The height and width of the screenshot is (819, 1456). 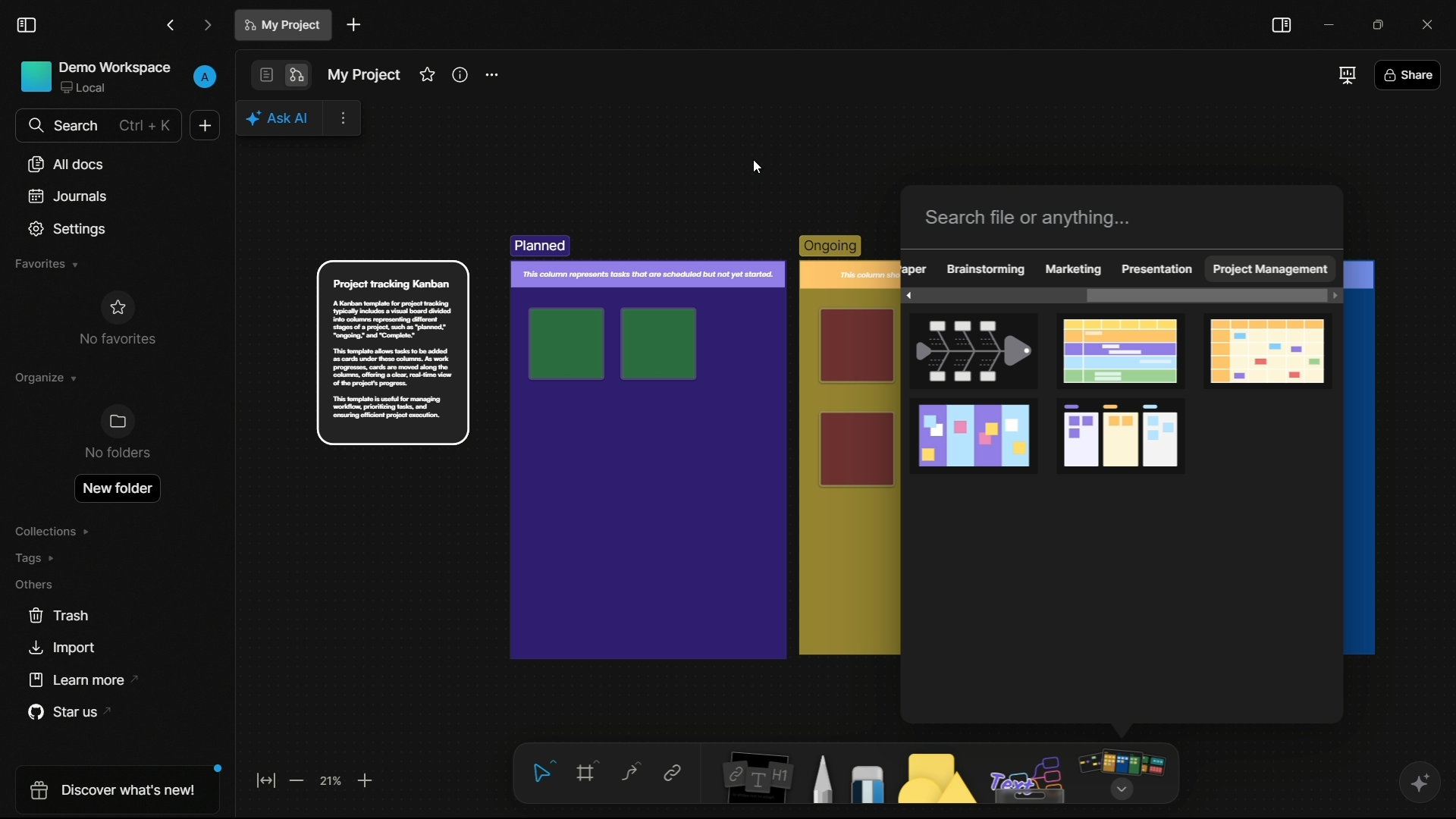 What do you see at coordinates (281, 118) in the screenshot?
I see `ai assistant pop up` at bounding box center [281, 118].